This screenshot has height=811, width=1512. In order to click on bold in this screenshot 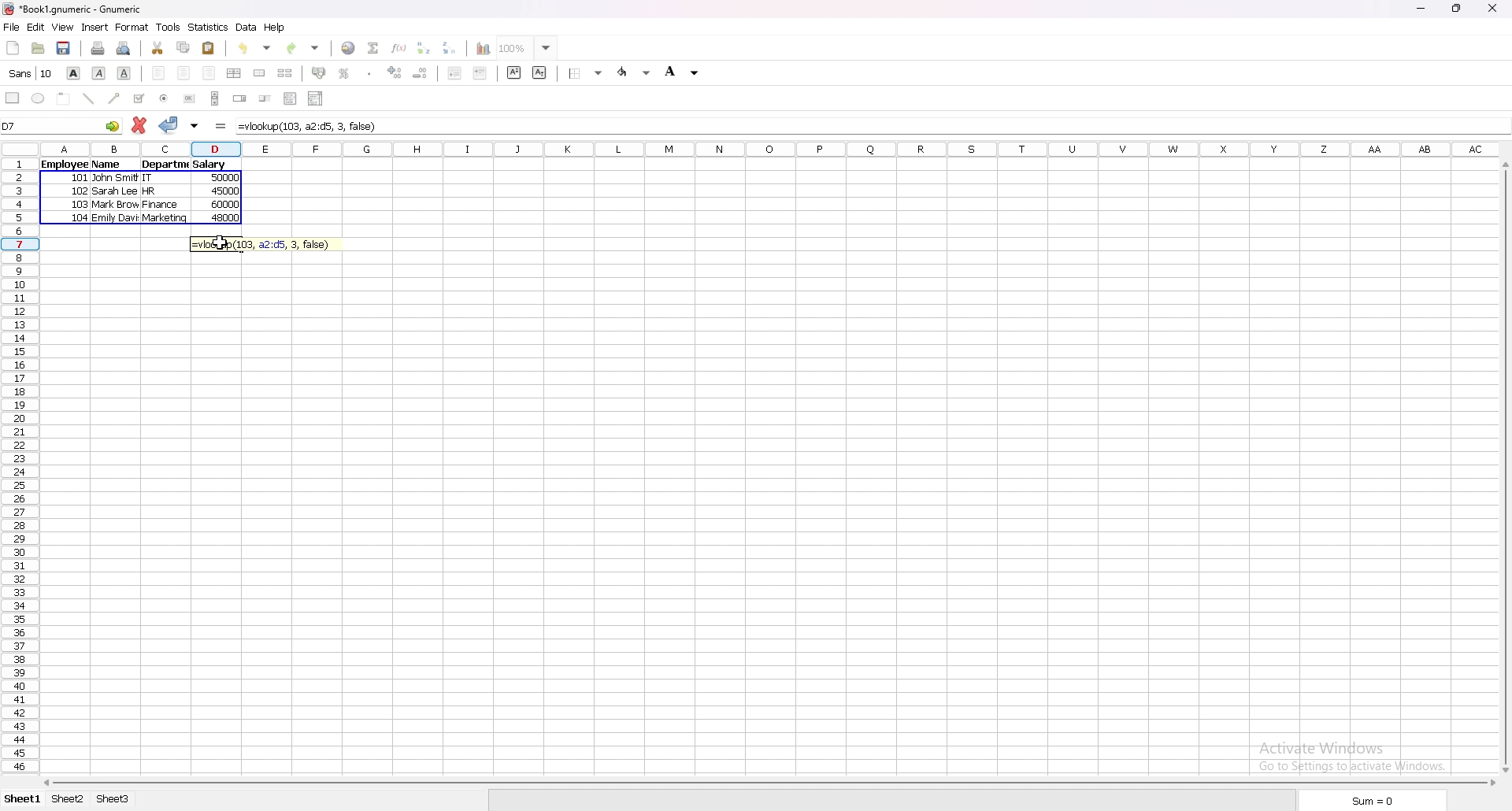, I will do `click(73, 72)`.